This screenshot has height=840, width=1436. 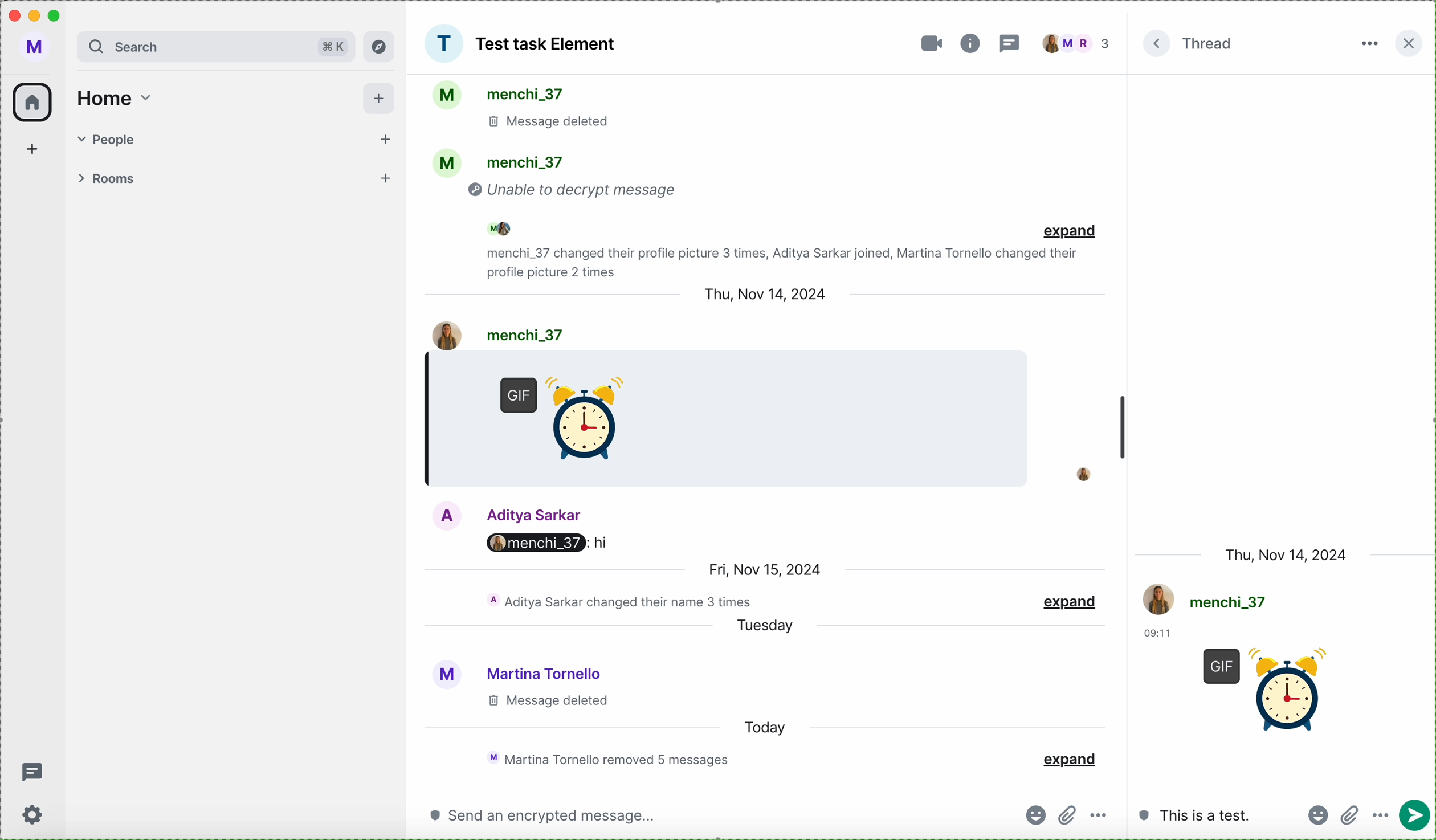 What do you see at coordinates (216, 46) in the screenshot?
I see `search bar` at bounding box center [216, 46].